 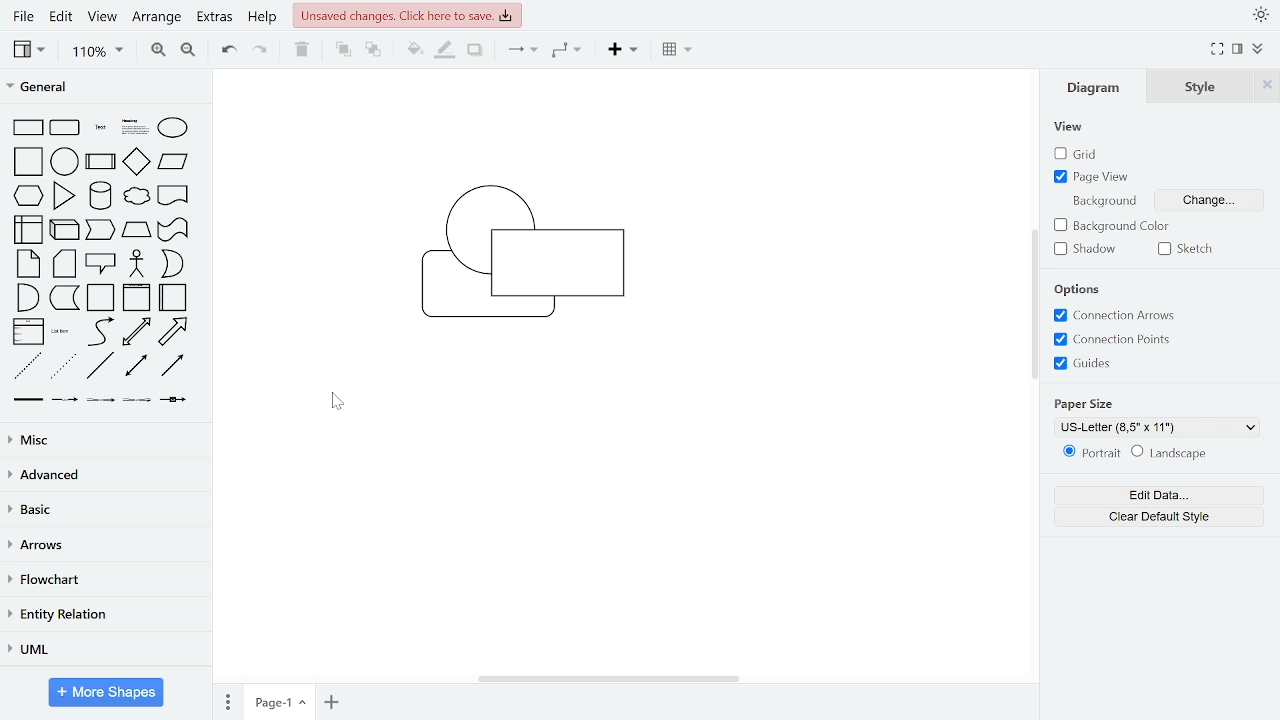 I want to click on entity relation, so click(x=105, y=613).